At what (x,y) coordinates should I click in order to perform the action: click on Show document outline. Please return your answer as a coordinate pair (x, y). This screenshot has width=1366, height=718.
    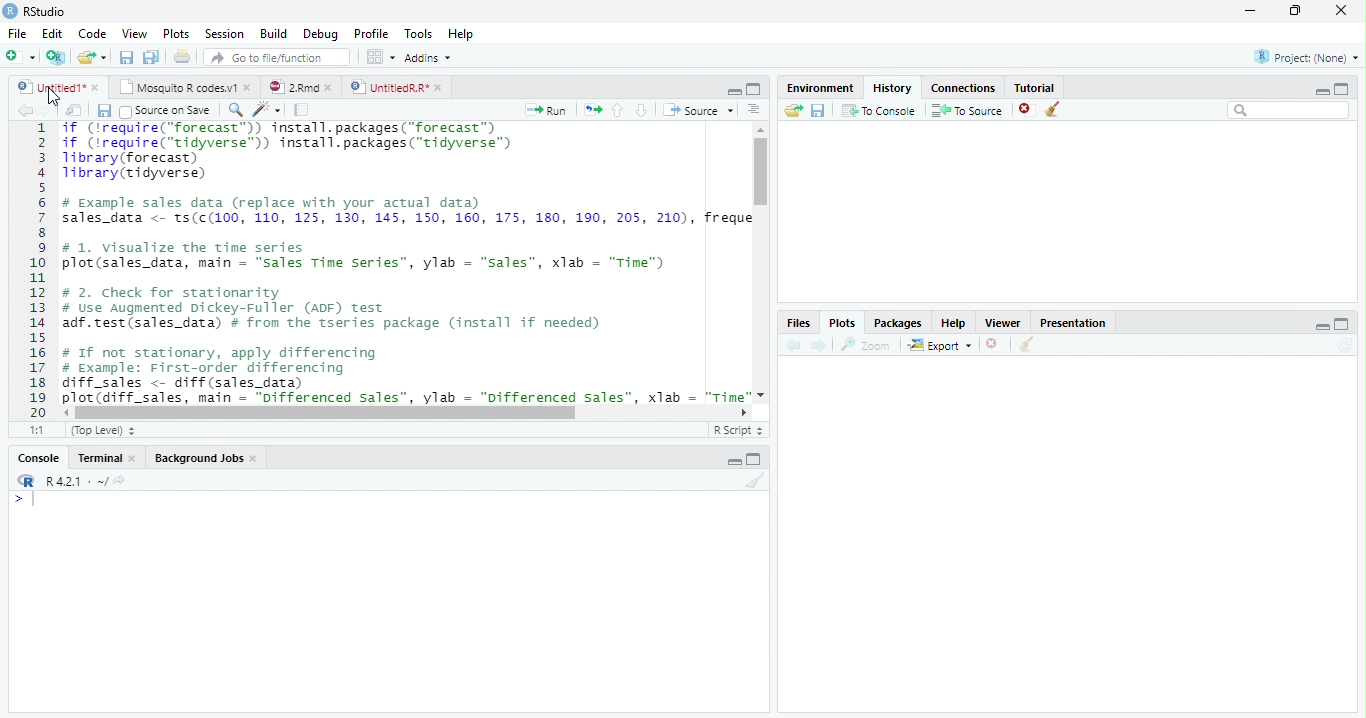
    Looking at the image, I should click on (754, 111).